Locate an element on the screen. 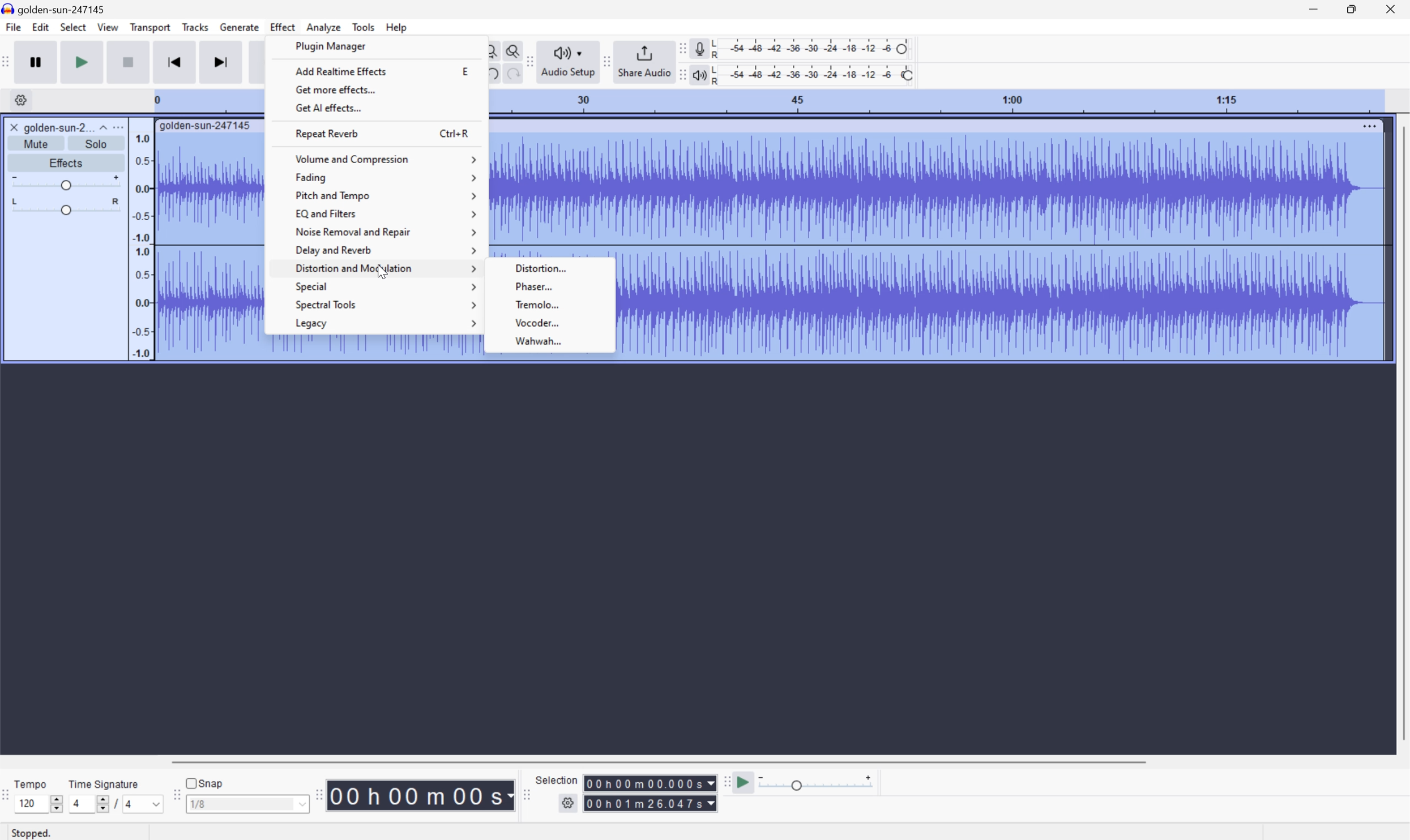 The image size is (1410, 840). Gen AI effects is located at coordinates (328, 108).